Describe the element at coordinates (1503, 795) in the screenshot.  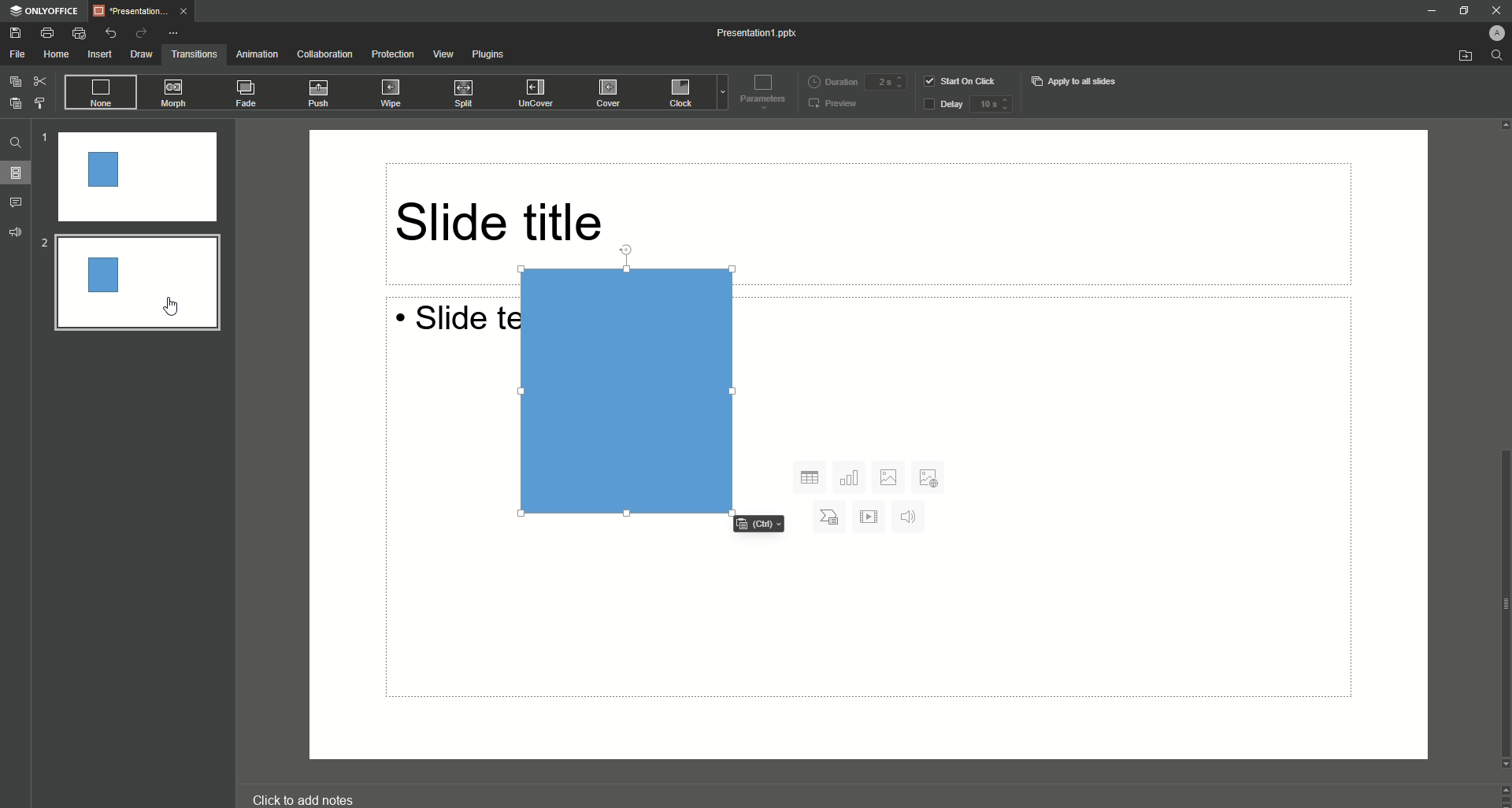
I see `Controls` at that location.